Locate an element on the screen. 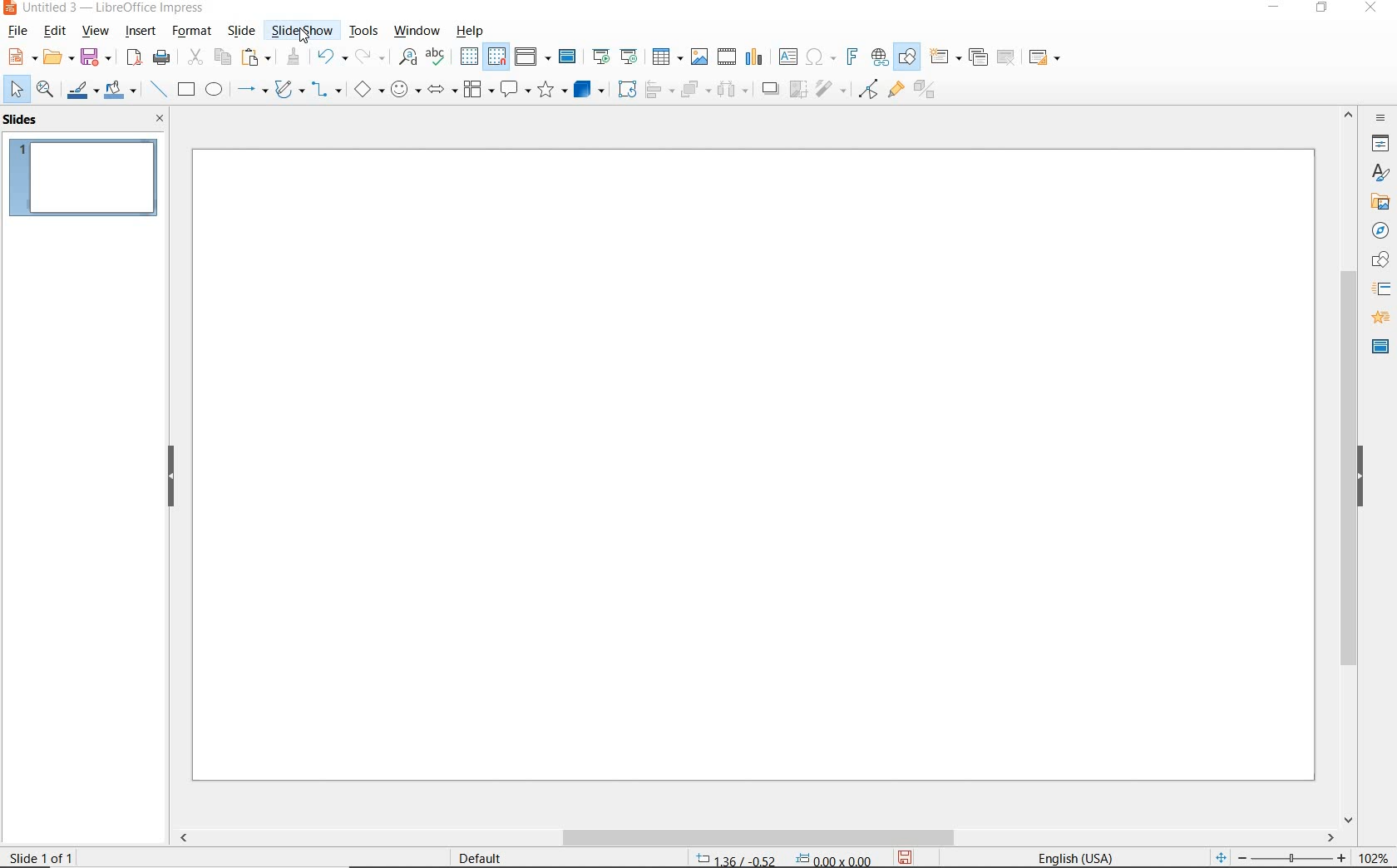 This screenshot has width=1397, height=868. HIDE is located at coordinates (1363, 476).